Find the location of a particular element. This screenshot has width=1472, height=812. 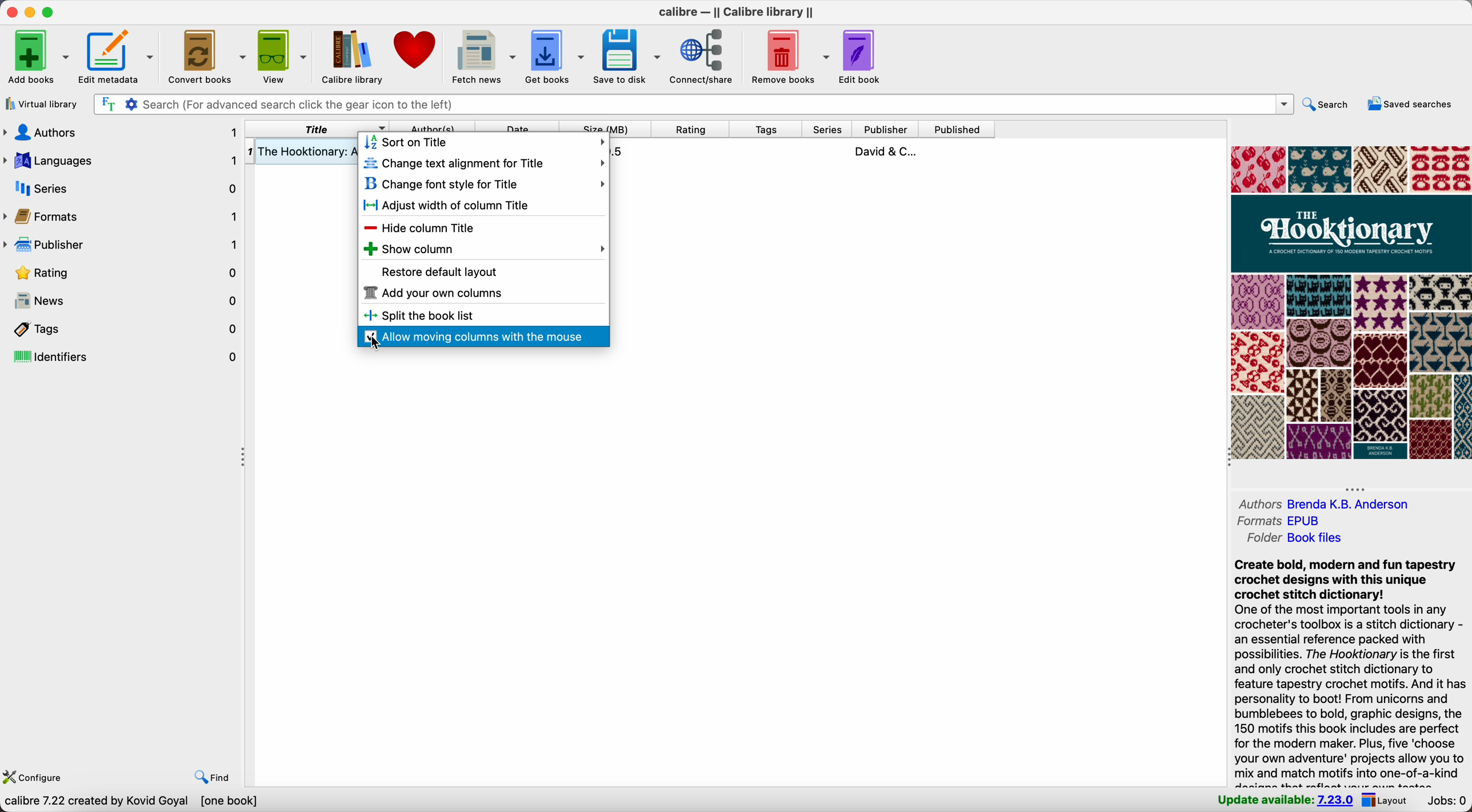

data is located at coordinates (134, 803).